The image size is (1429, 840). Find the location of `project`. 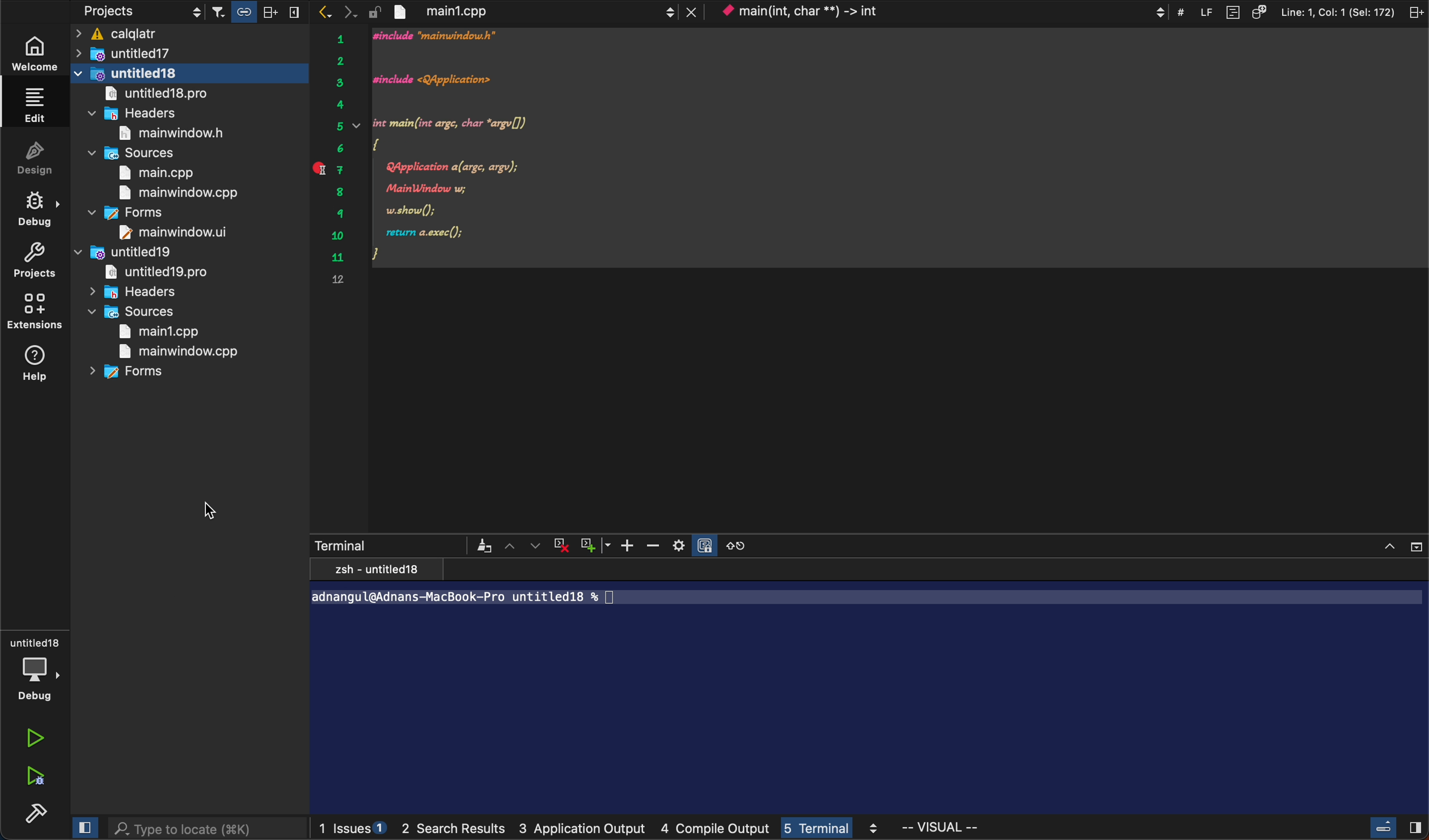

project is located at coordinates (34, 260).